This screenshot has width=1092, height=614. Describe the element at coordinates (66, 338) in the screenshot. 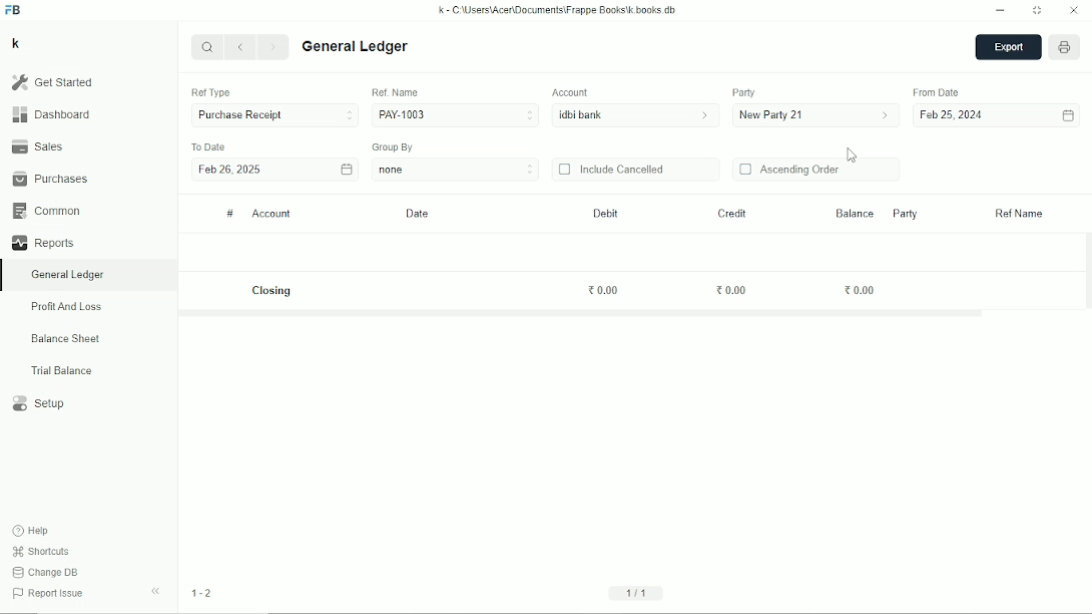

I see `Balance sheet` at that location.